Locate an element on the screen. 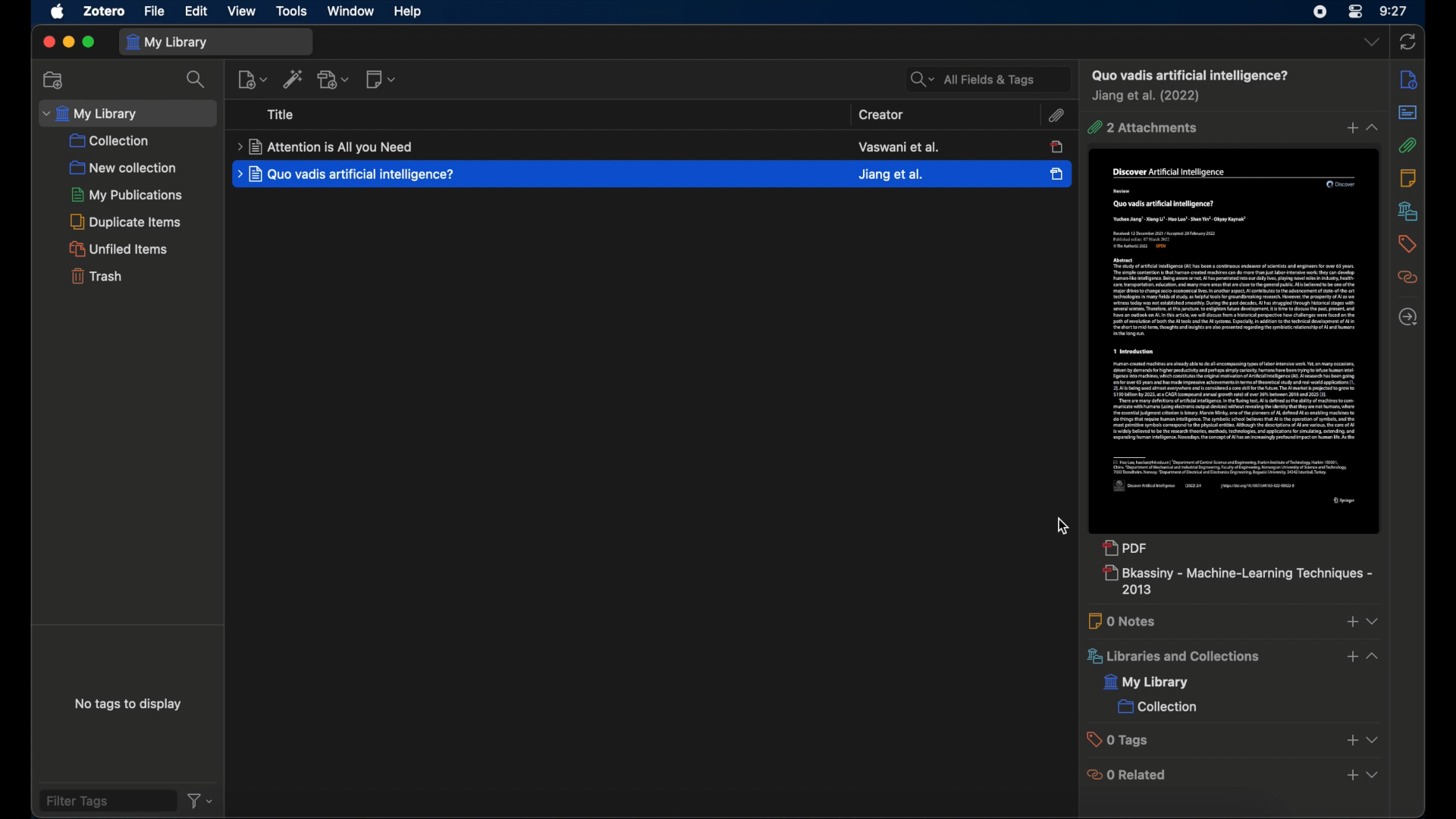  filter tags field is located at coordinates (106, 800).